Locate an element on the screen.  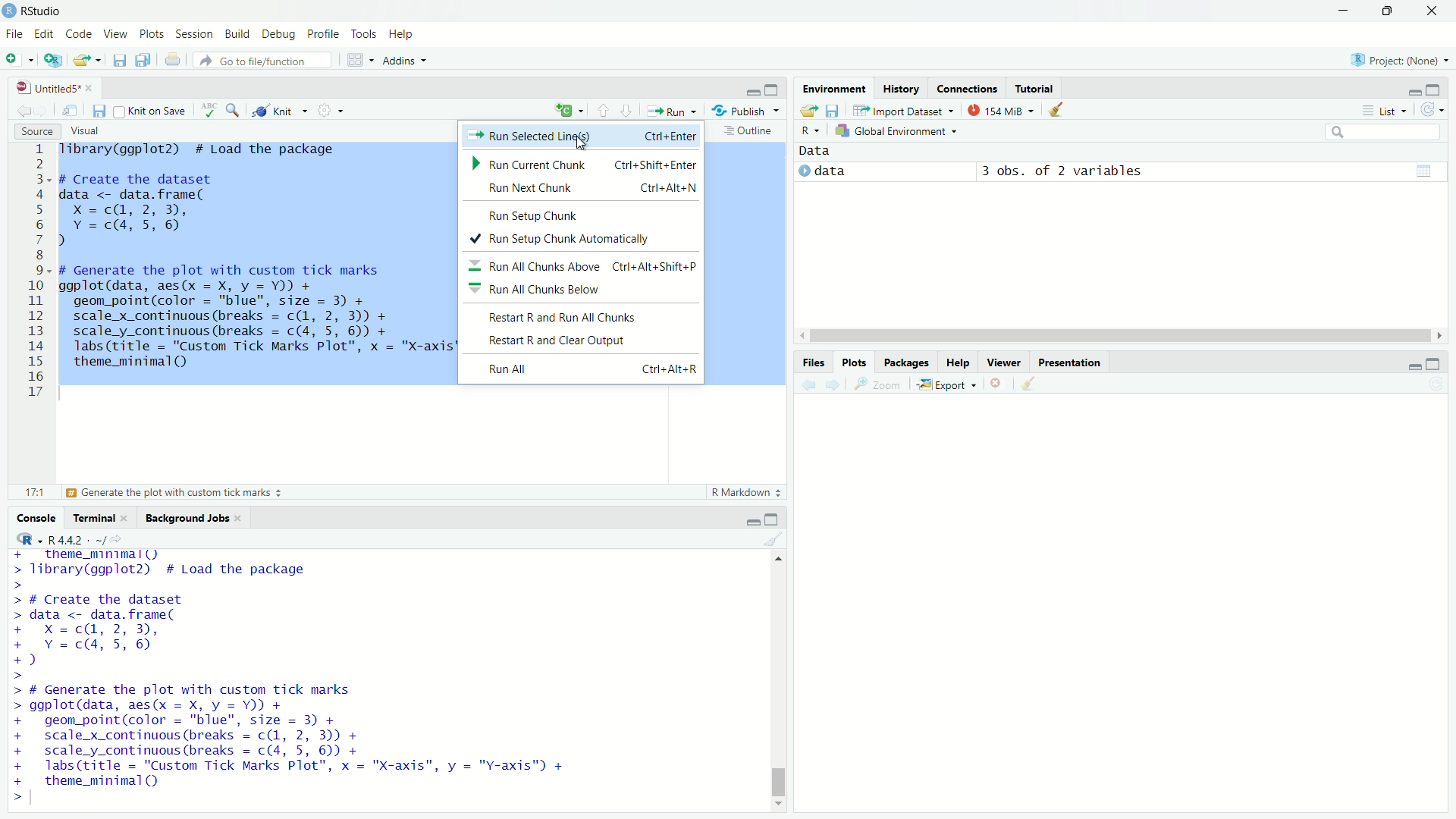
save all open documents is located at coordinates (142, 61).